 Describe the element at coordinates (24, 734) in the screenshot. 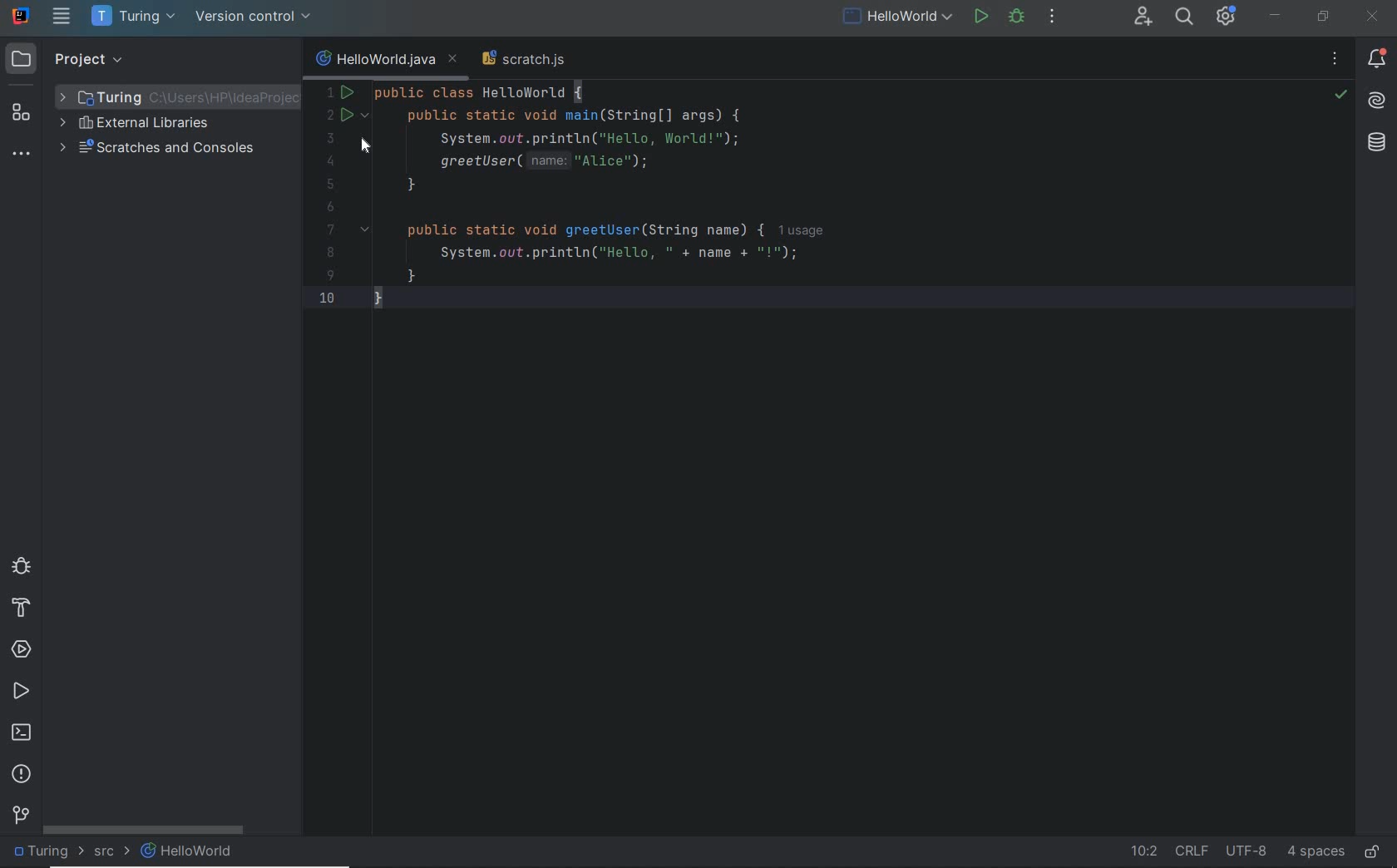

I see `terminal` at that location.